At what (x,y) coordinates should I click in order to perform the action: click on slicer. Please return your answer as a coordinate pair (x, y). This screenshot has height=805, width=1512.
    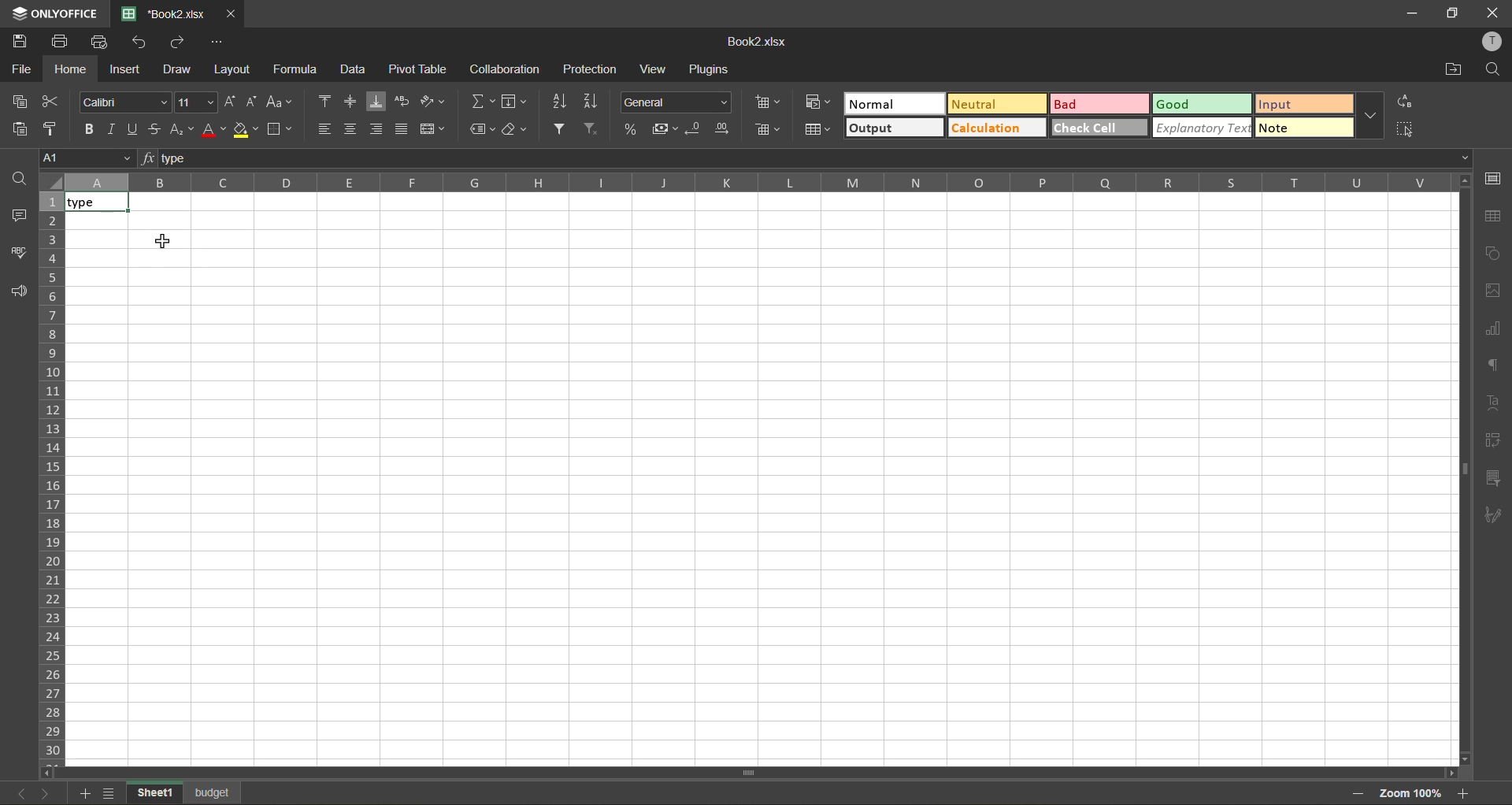
    Looking at the image, I should click on (1490, 476).